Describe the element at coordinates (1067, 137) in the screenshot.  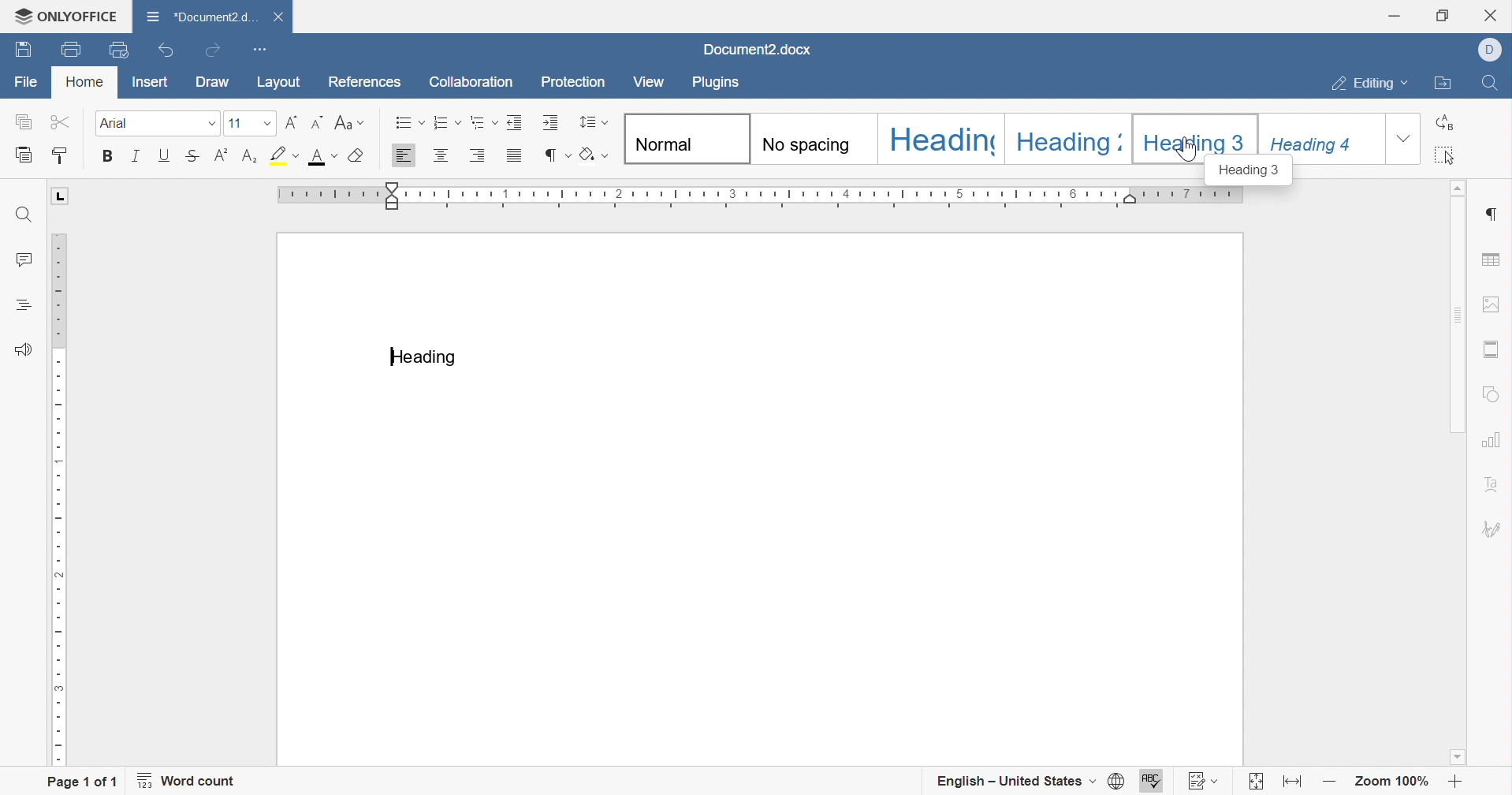
I see `Heading` at that location.